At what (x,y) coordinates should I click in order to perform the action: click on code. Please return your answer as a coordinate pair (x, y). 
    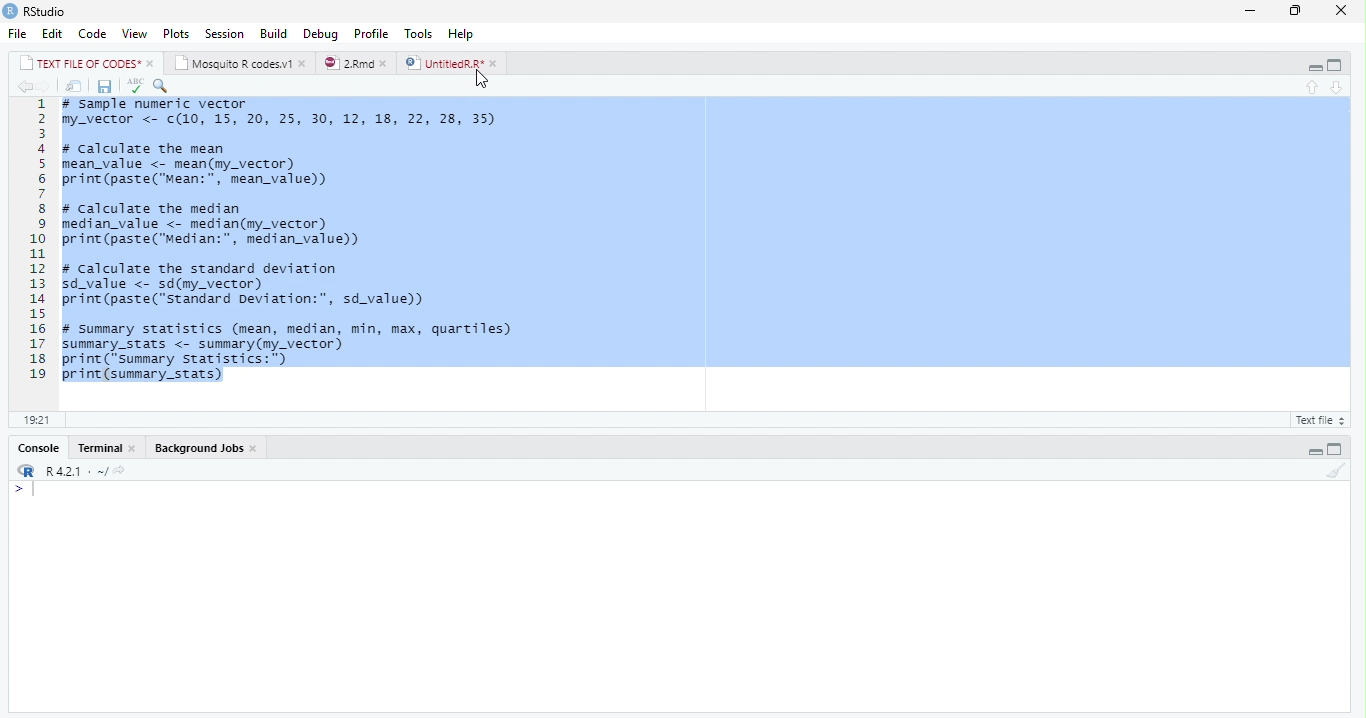
    Looking at the image, I should click on (93, 33).